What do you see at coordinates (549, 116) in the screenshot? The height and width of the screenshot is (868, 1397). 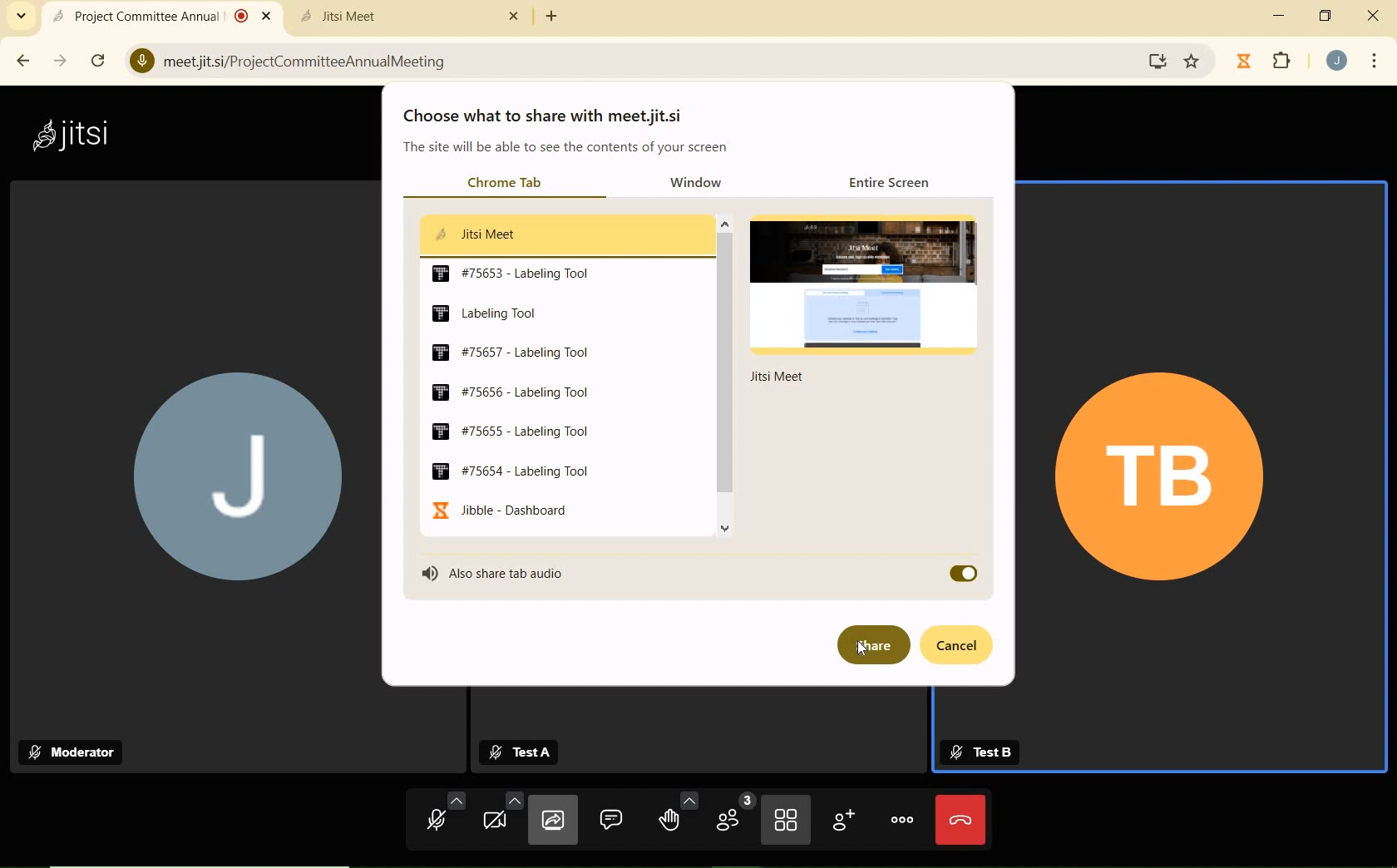 I see `choose what to share with meet.jit.si` at bounding box center [549, 116].